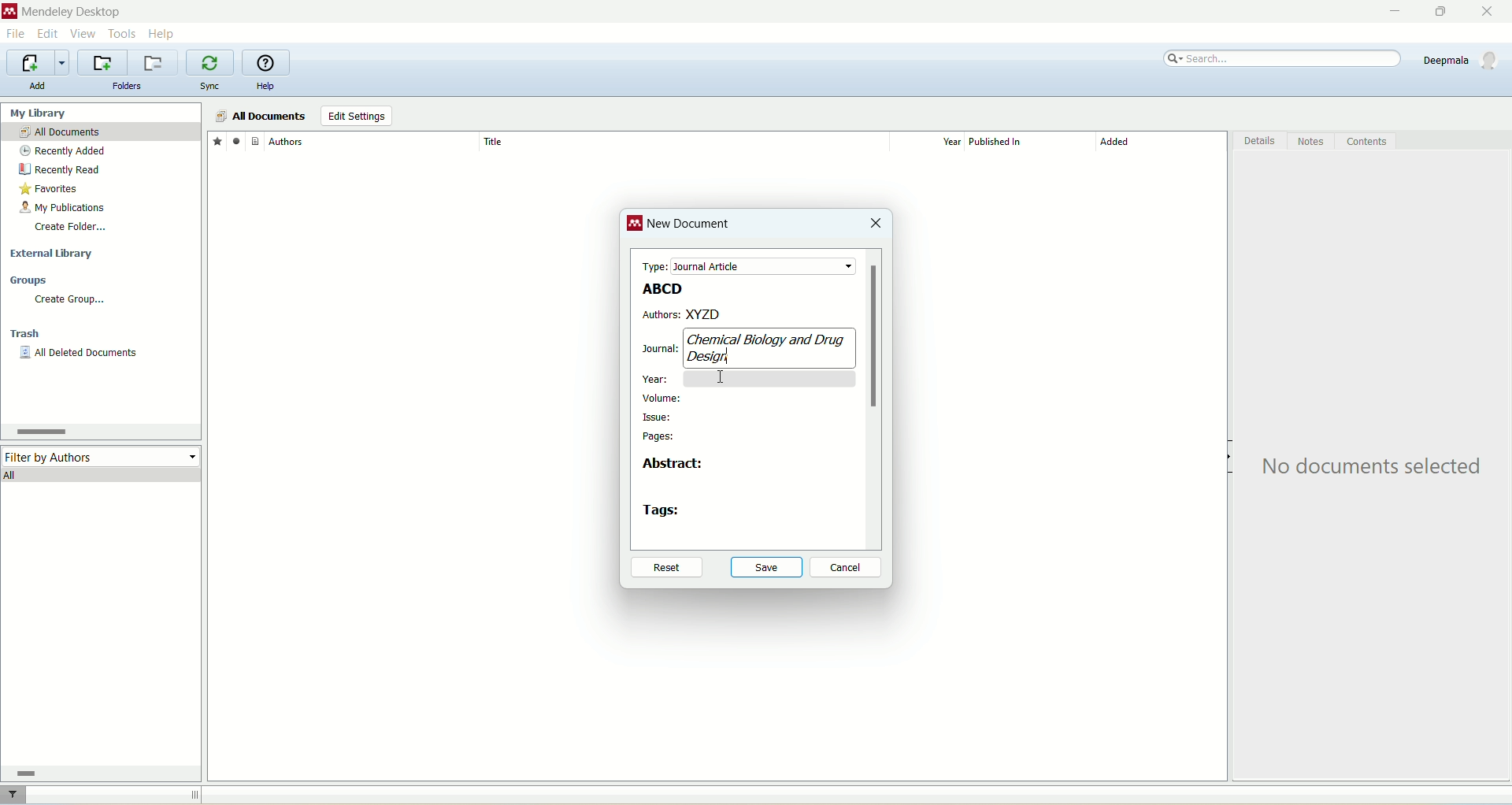 Image resolution: width=1512 pixels, height=805 pixels. I want to click on content, so click(1366, 142).